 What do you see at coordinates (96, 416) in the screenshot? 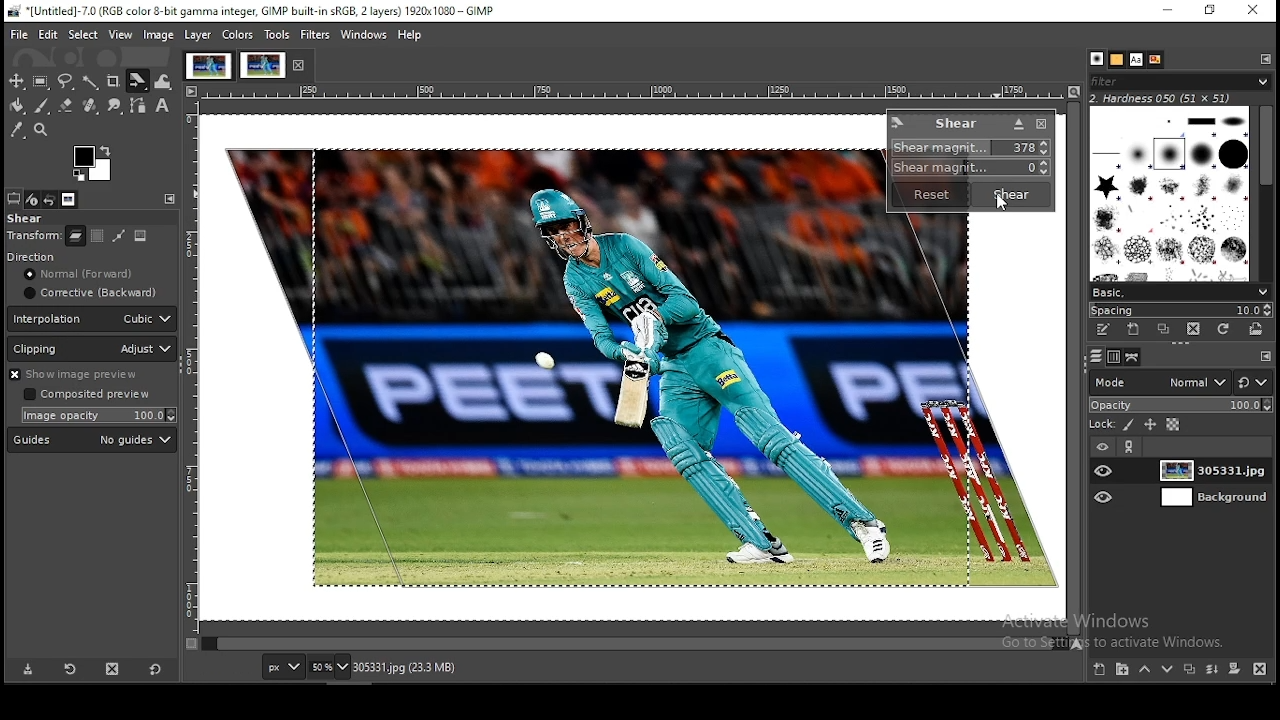
I see `image opacity` at bounding box center [96, 416].